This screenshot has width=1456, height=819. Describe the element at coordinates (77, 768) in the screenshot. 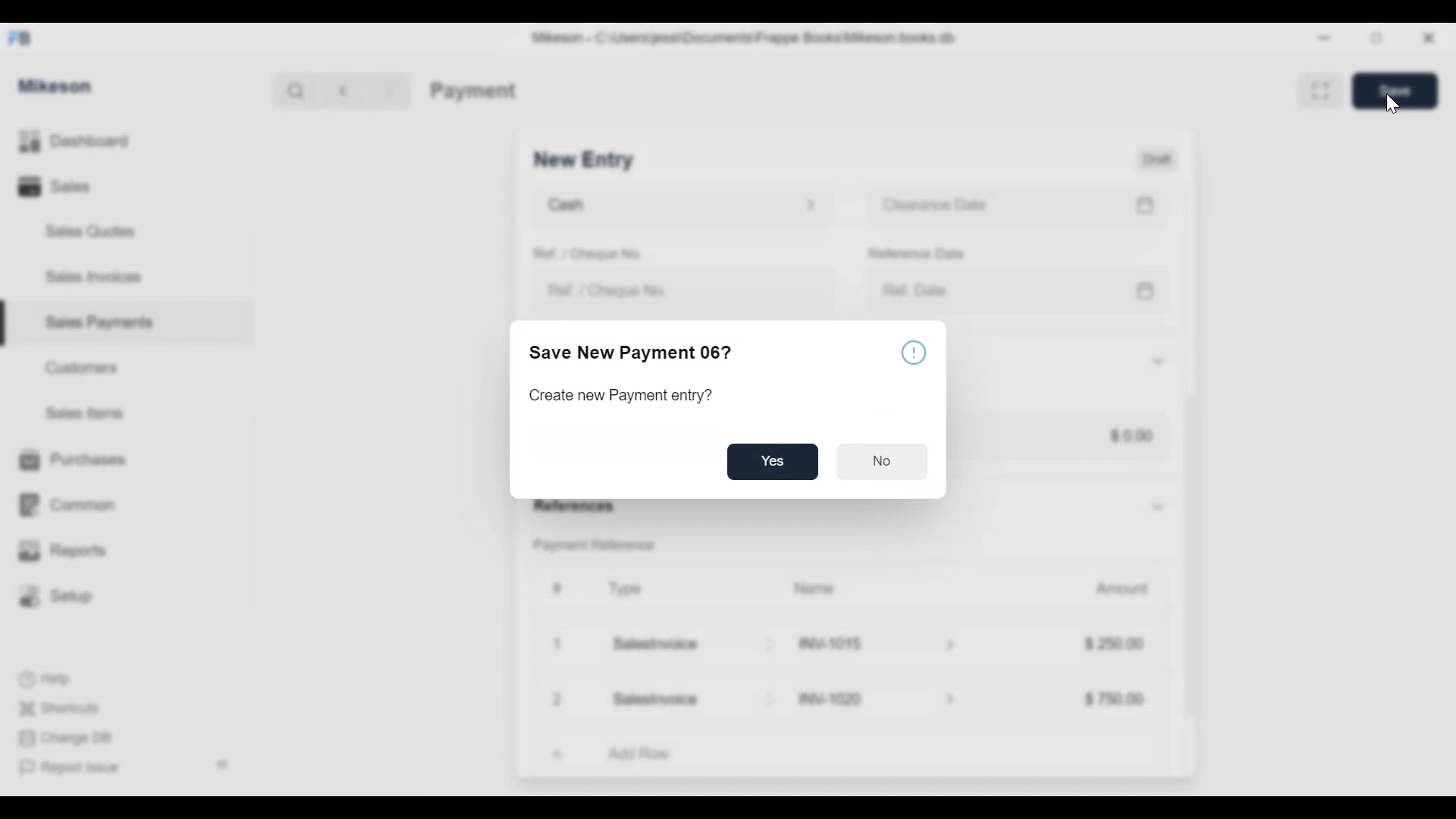

I see `Report Issue` at that location.